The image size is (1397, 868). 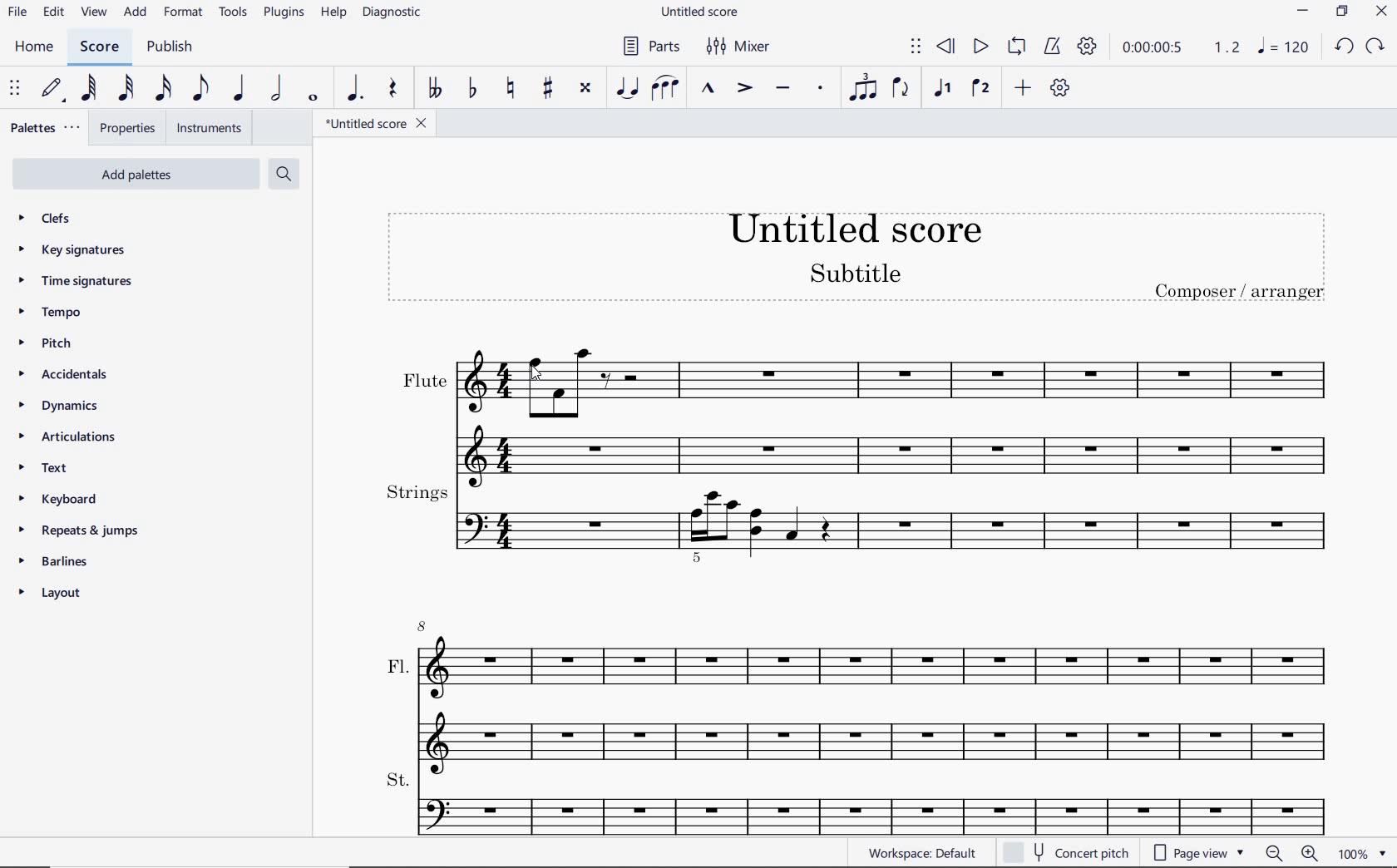 I want to click on dynamics, so click(x=58, y=407).